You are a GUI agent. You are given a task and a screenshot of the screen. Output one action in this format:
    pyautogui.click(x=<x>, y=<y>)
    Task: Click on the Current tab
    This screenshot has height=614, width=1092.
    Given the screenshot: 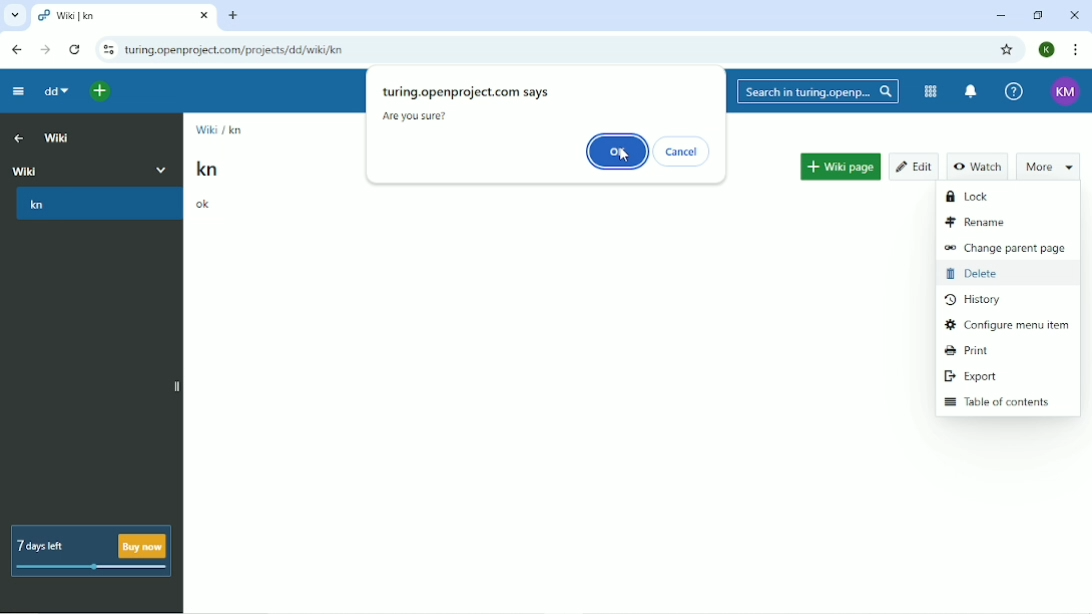 What is the action you would take?
    pyautogui.click(x=124, y=18)
    